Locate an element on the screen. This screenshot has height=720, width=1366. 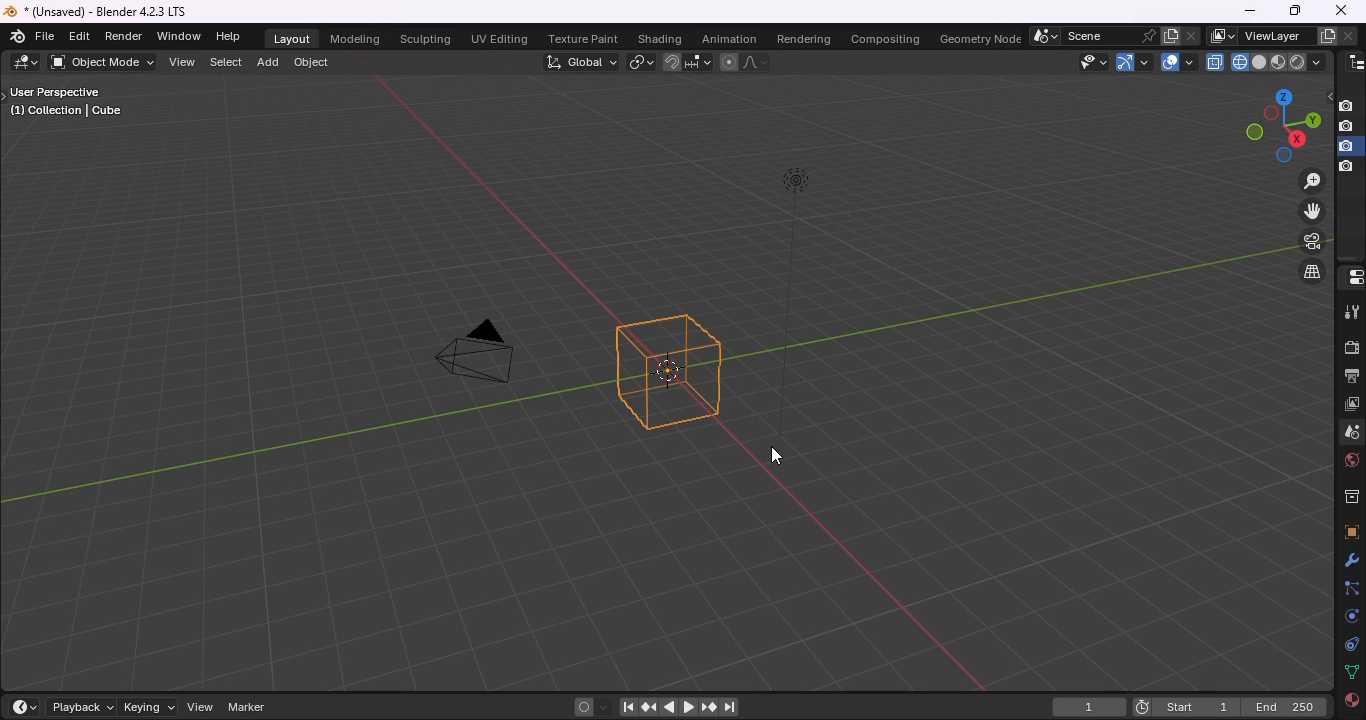
snap is located at coordinates (674, 62).